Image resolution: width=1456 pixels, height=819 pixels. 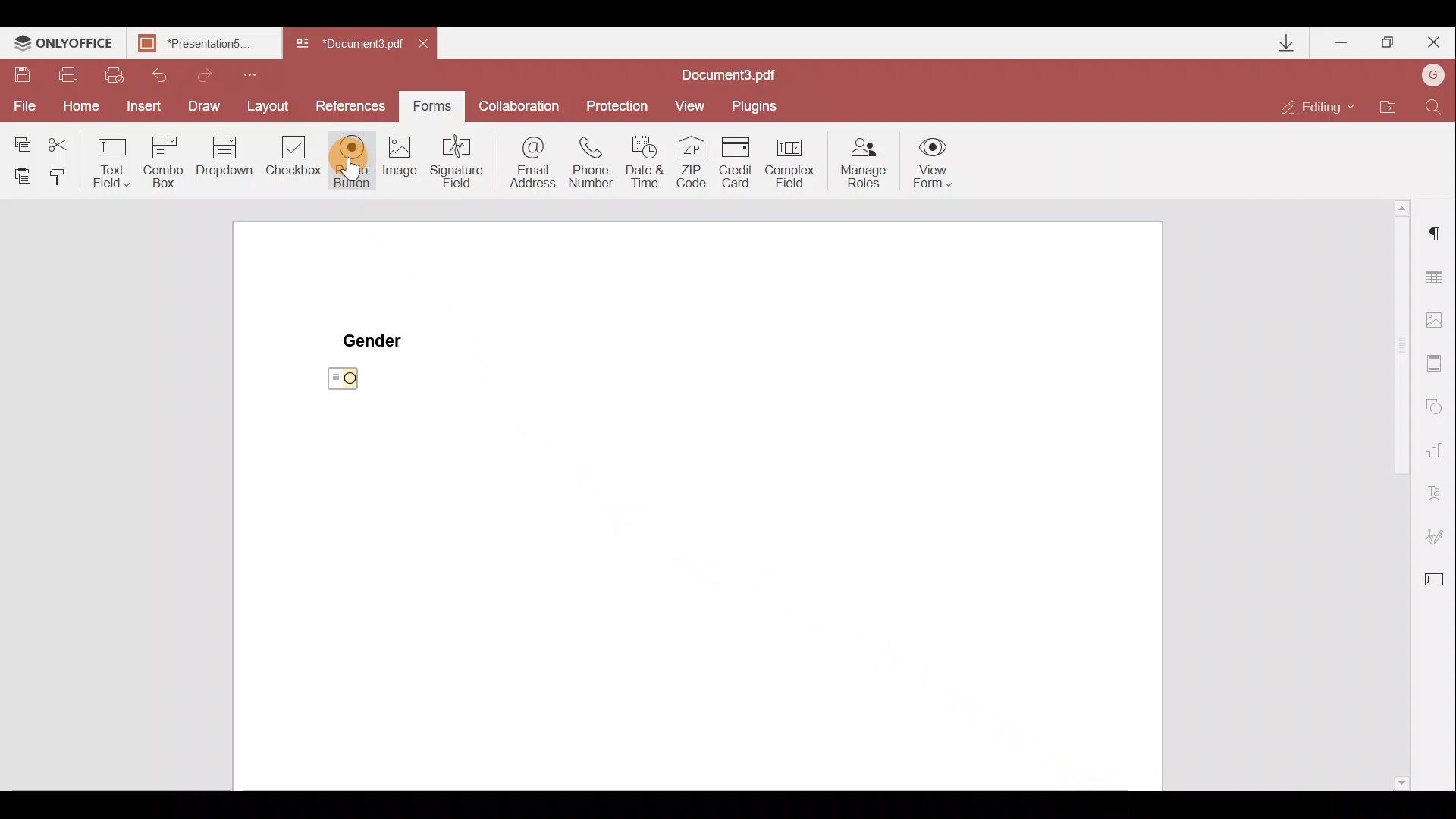 What do you see at coordinates (77, 108) in the screenshot?
I see `Home` at bounding box center [77, 108].